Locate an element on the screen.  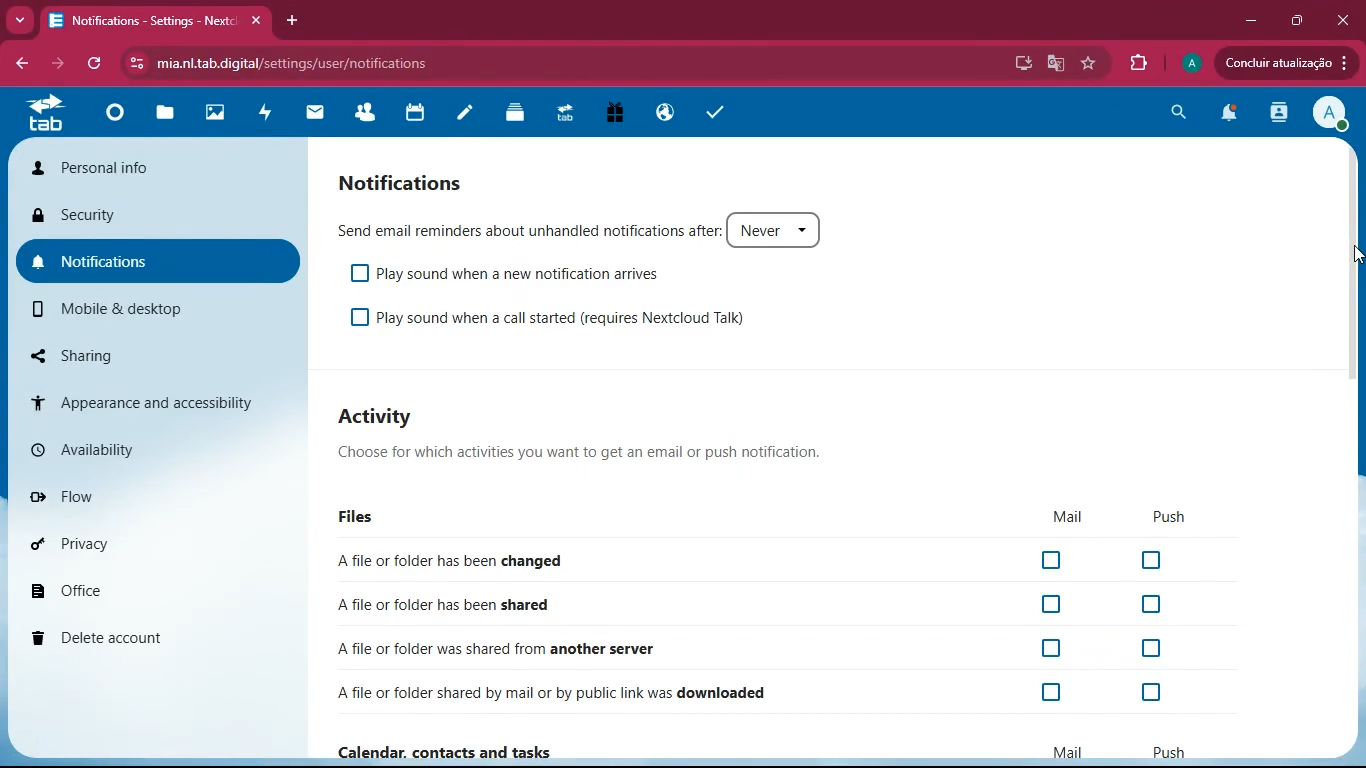
favourite is located at coordinates (1092, 65).